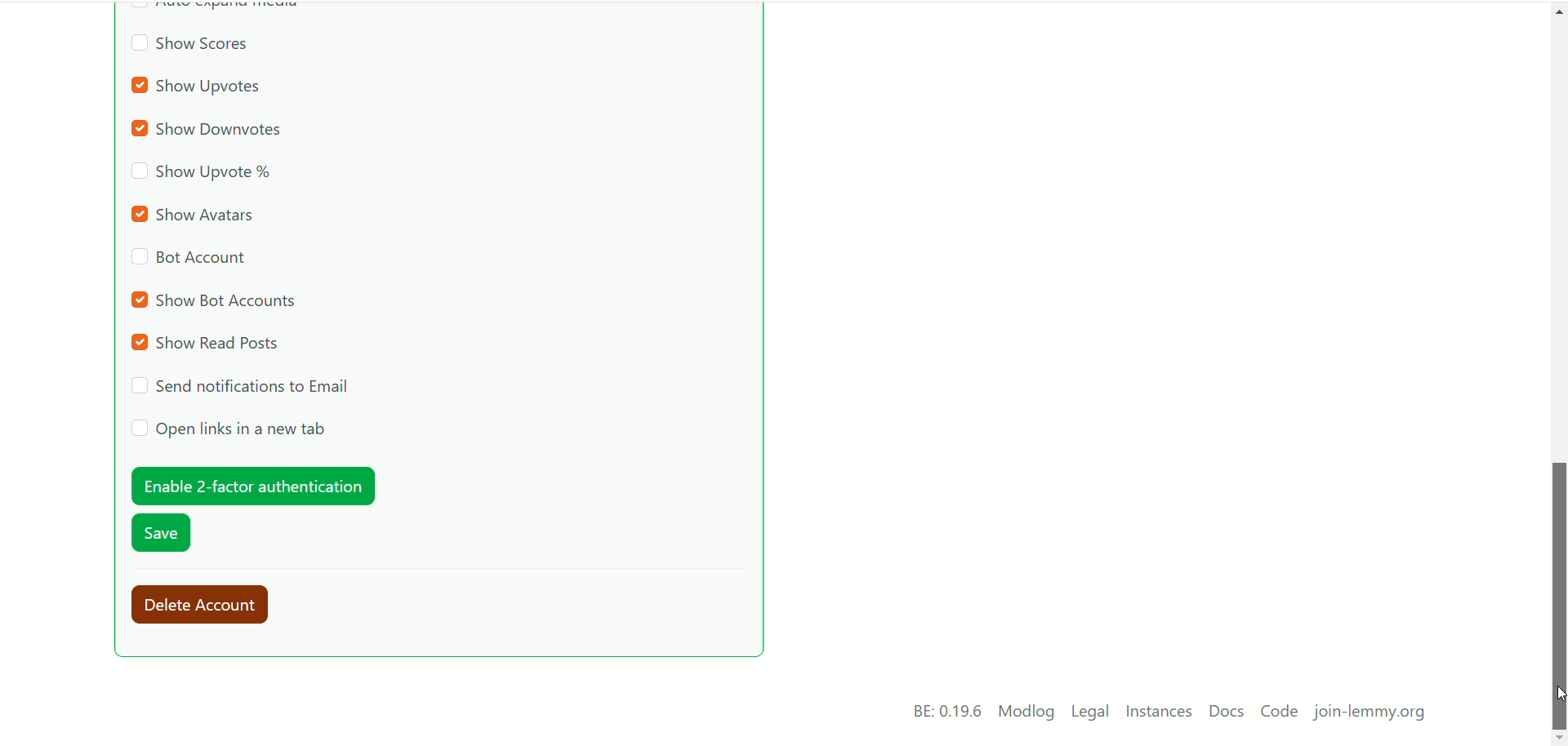 The image size is (1568, 746). I want to click on enable 2 factor authentication, so click(251, 486).